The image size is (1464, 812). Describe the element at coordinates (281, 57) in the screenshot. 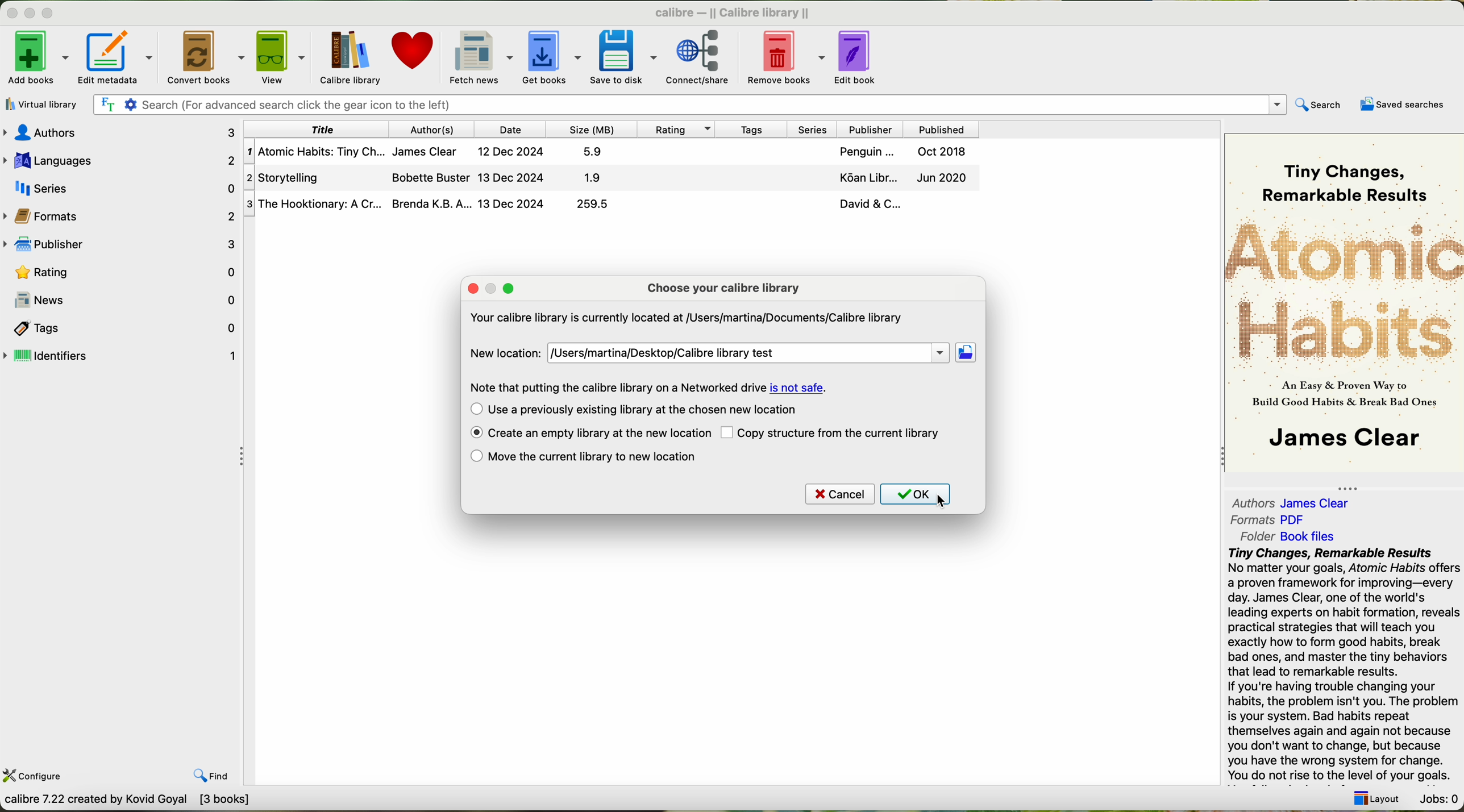

I see `view` at that location.